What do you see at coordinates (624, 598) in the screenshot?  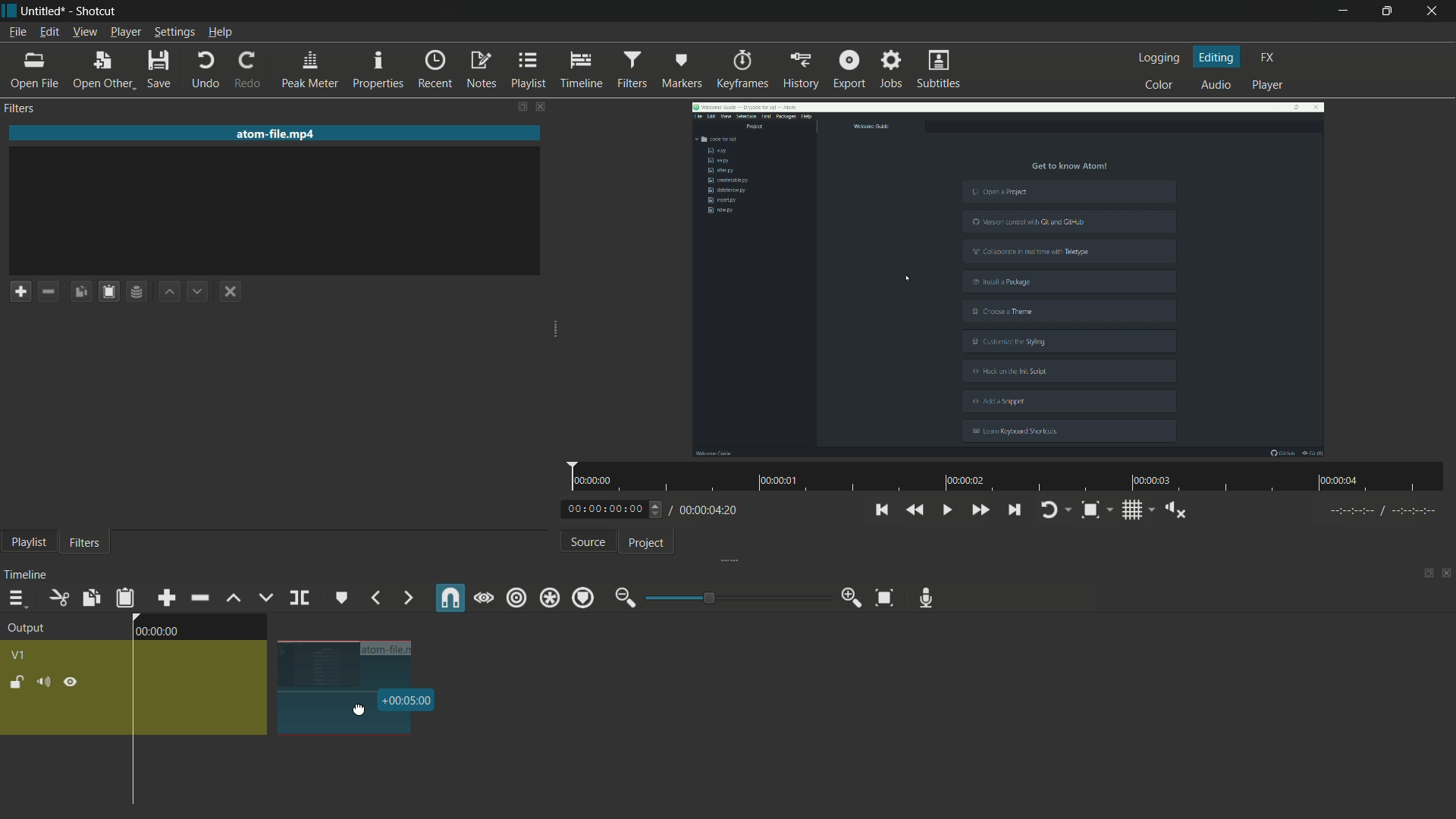 I see `minimize` at bounding box center [624, 598].